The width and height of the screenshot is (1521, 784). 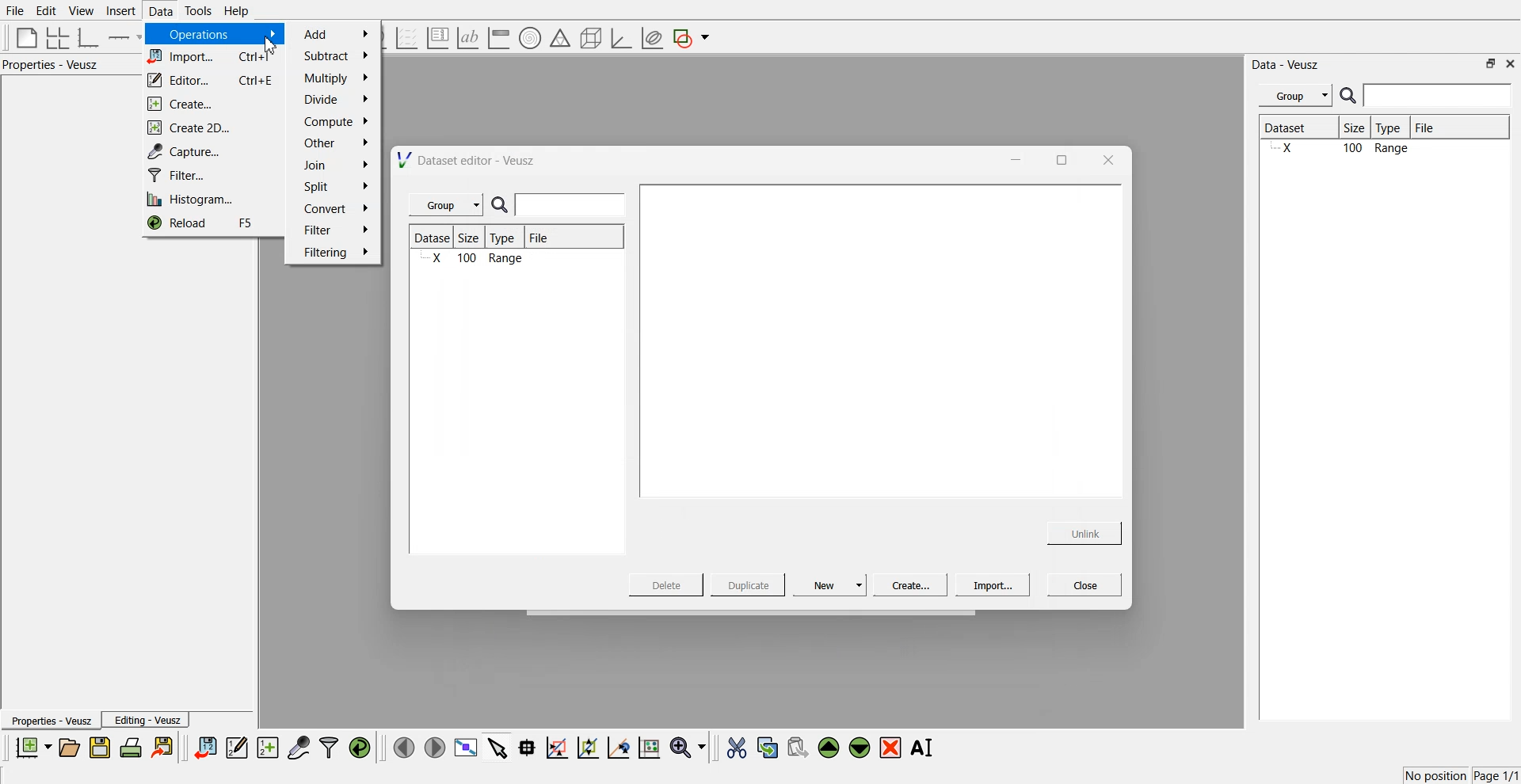 What do you see at coordinates (23, 36) in the screenshot?
I see `blank page` at bounding box center [23, 36].